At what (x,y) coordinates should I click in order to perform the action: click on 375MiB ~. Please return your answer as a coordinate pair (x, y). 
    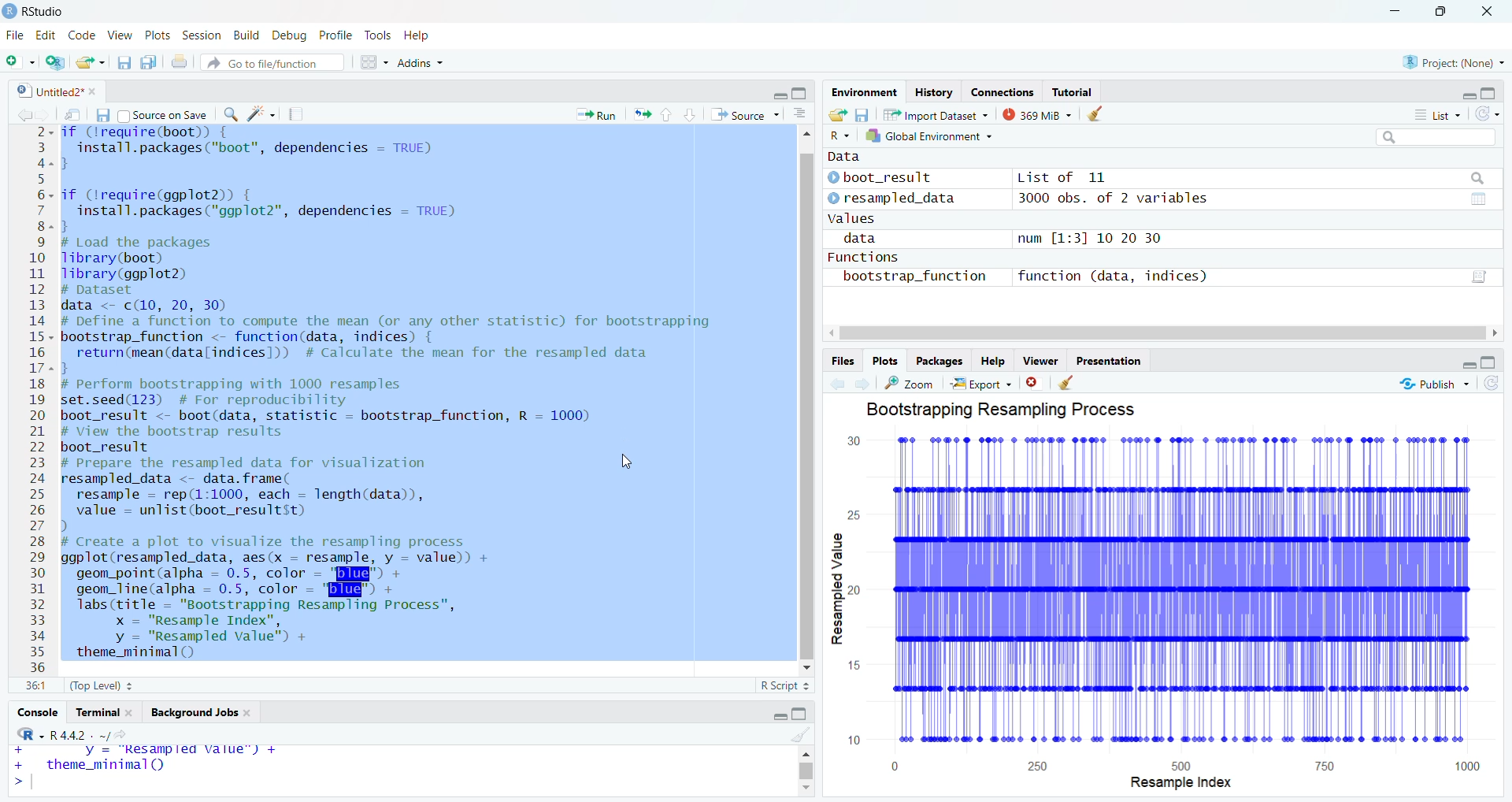
    Looking at the image, I should click on (1039, 114).